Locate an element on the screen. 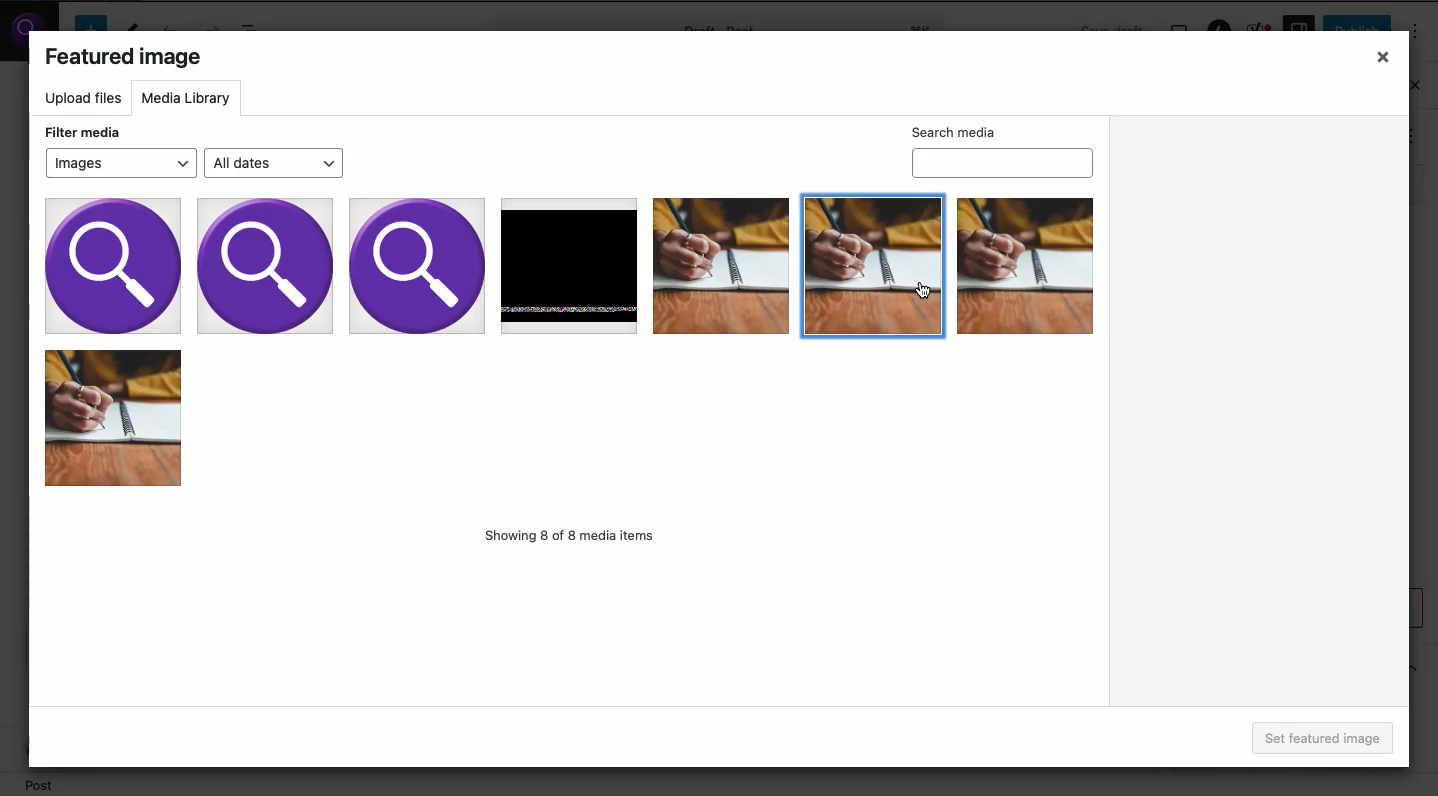  All dates is located at coordinates (269, 162).